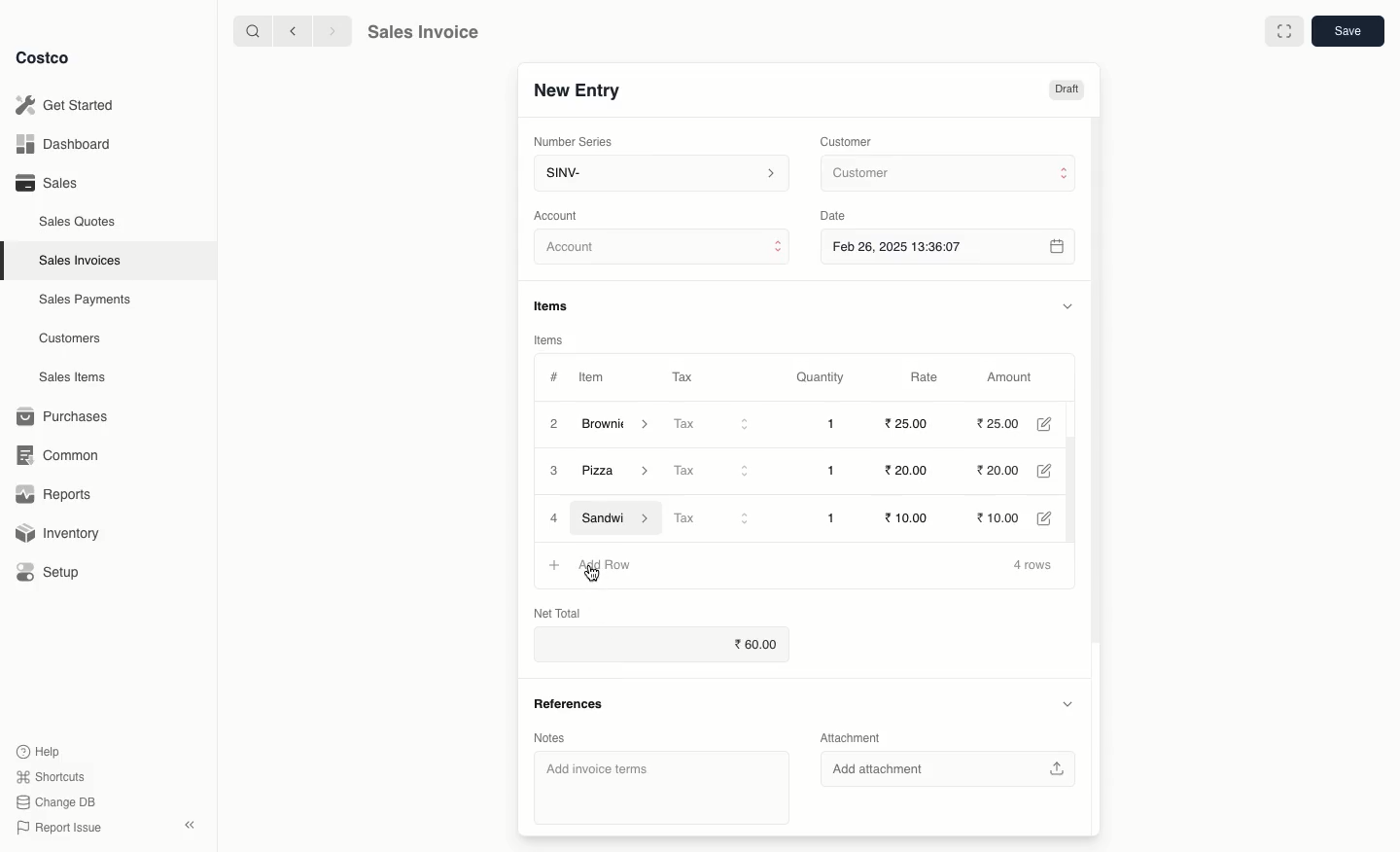 This screenshot has width=1400, height=852. What do you see at coordinates (50, 777) in the screenshot?
I see `Shortcuts` at bounding box center [50, 777].